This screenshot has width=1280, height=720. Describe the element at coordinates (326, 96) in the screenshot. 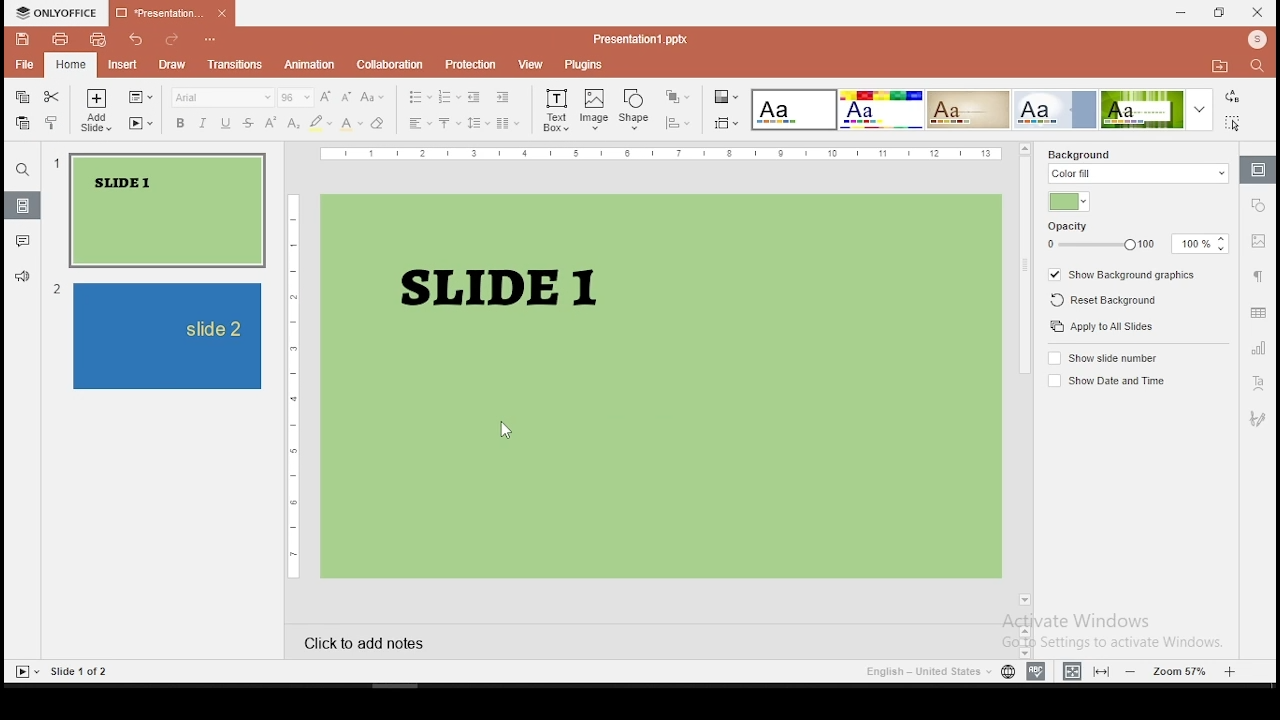

I see `increment font size` at that location.